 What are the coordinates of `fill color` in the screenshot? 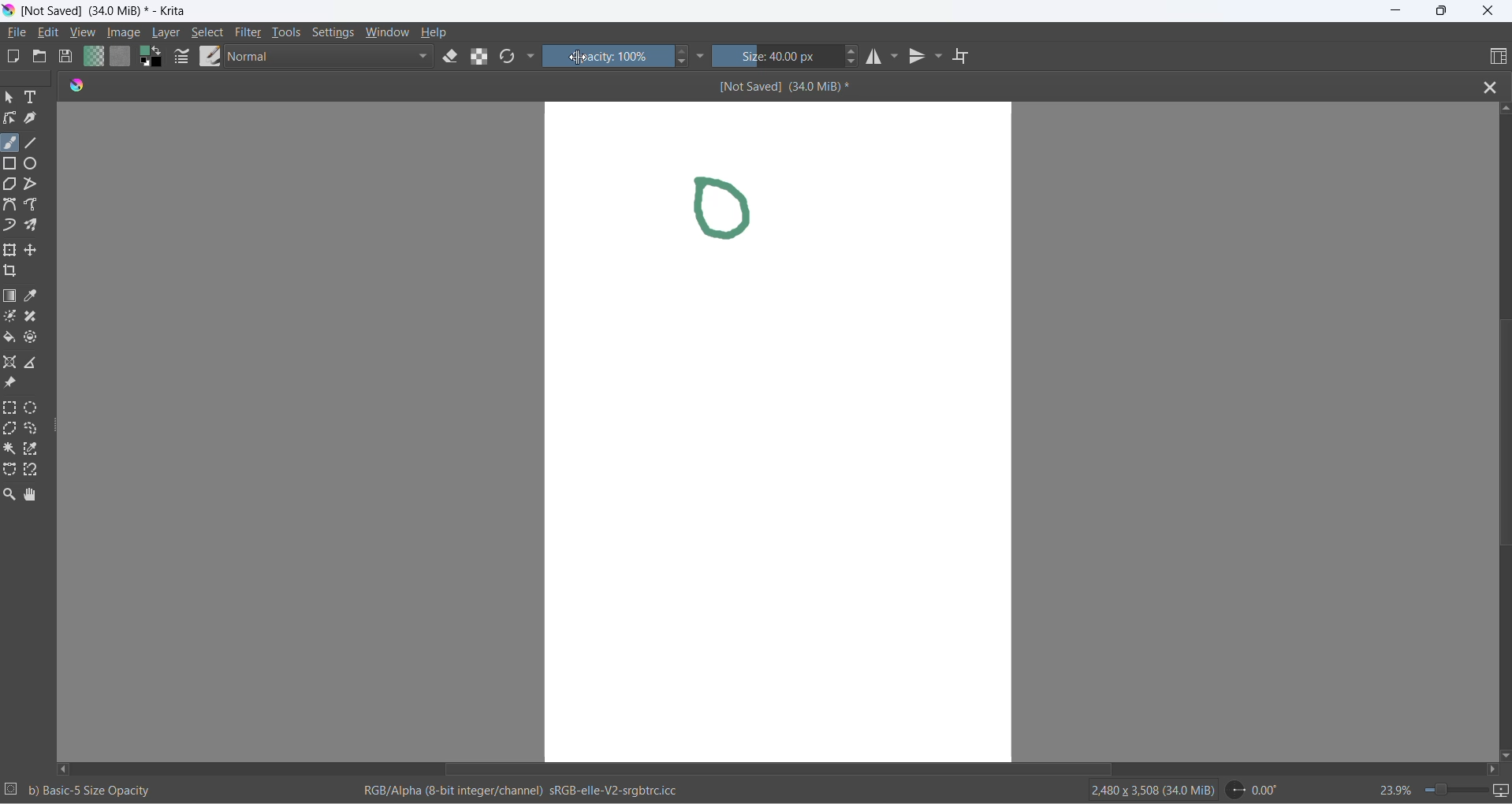 It's located at (12, 340).